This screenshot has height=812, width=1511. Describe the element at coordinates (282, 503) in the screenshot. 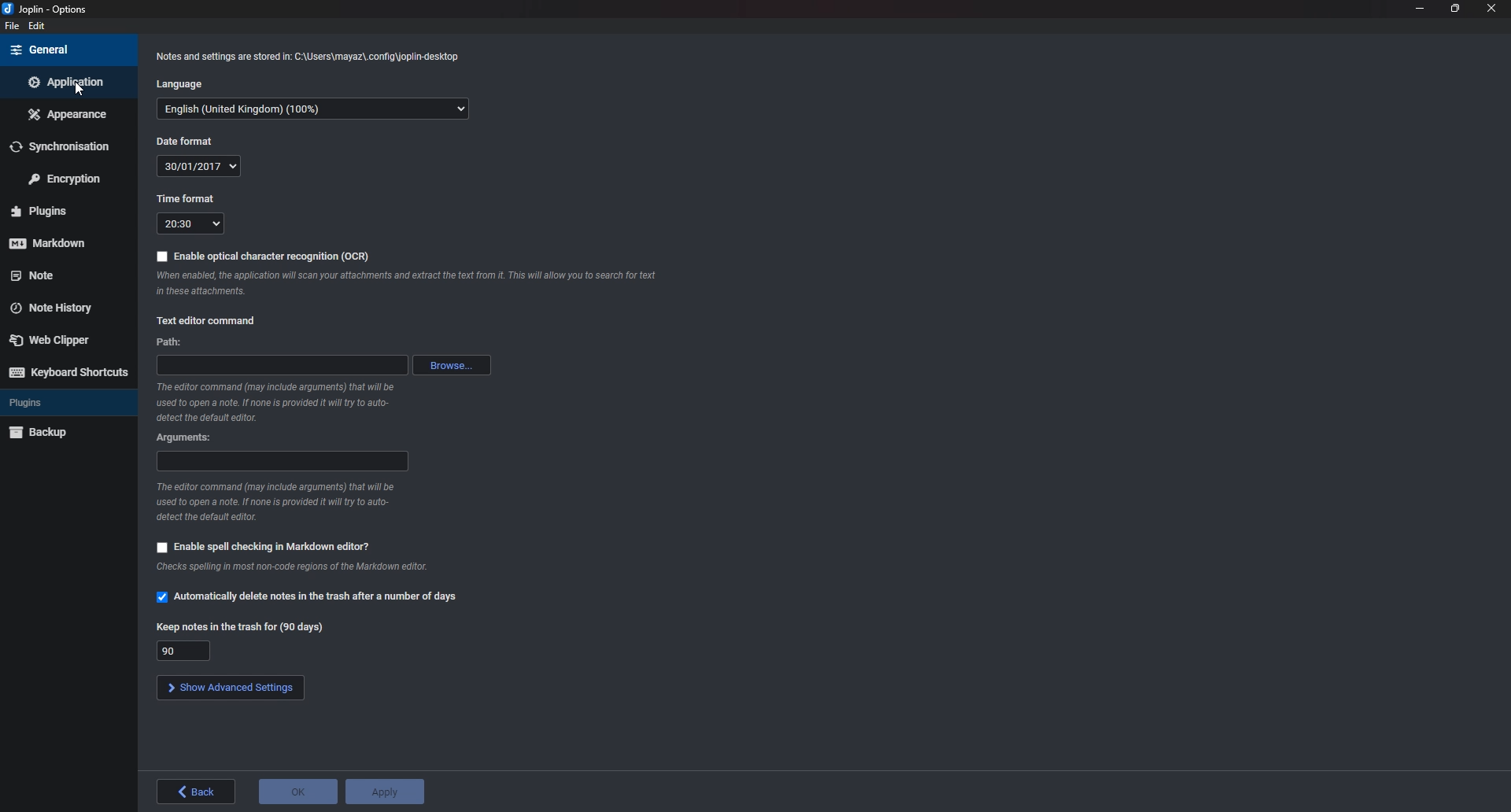

I see `Info` at that location.